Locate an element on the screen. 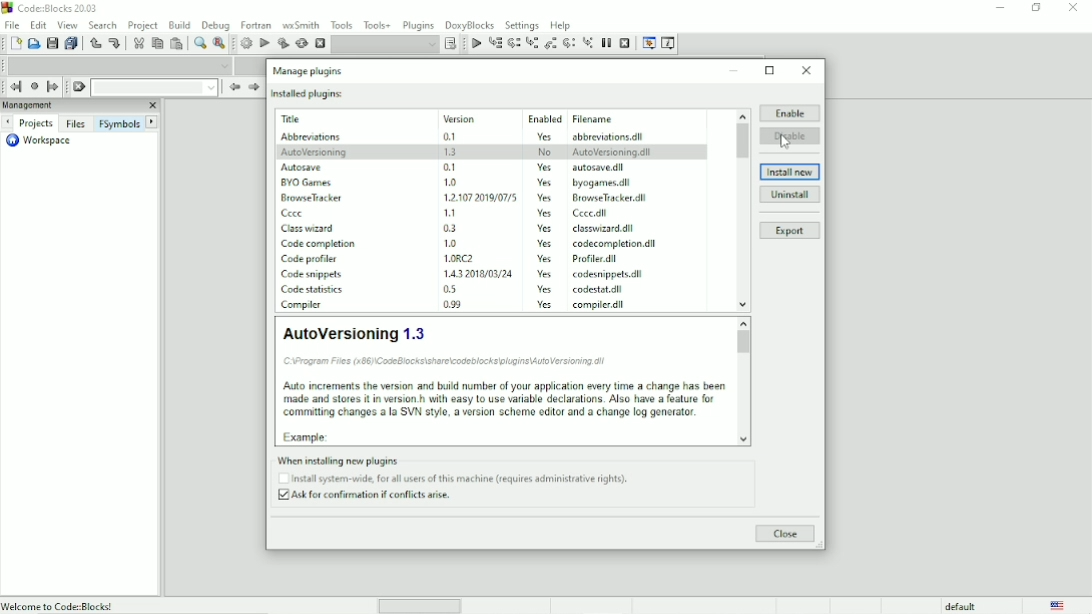 The image size is (1092, 614). BrowseTracker is located at coordinates (313, 198).